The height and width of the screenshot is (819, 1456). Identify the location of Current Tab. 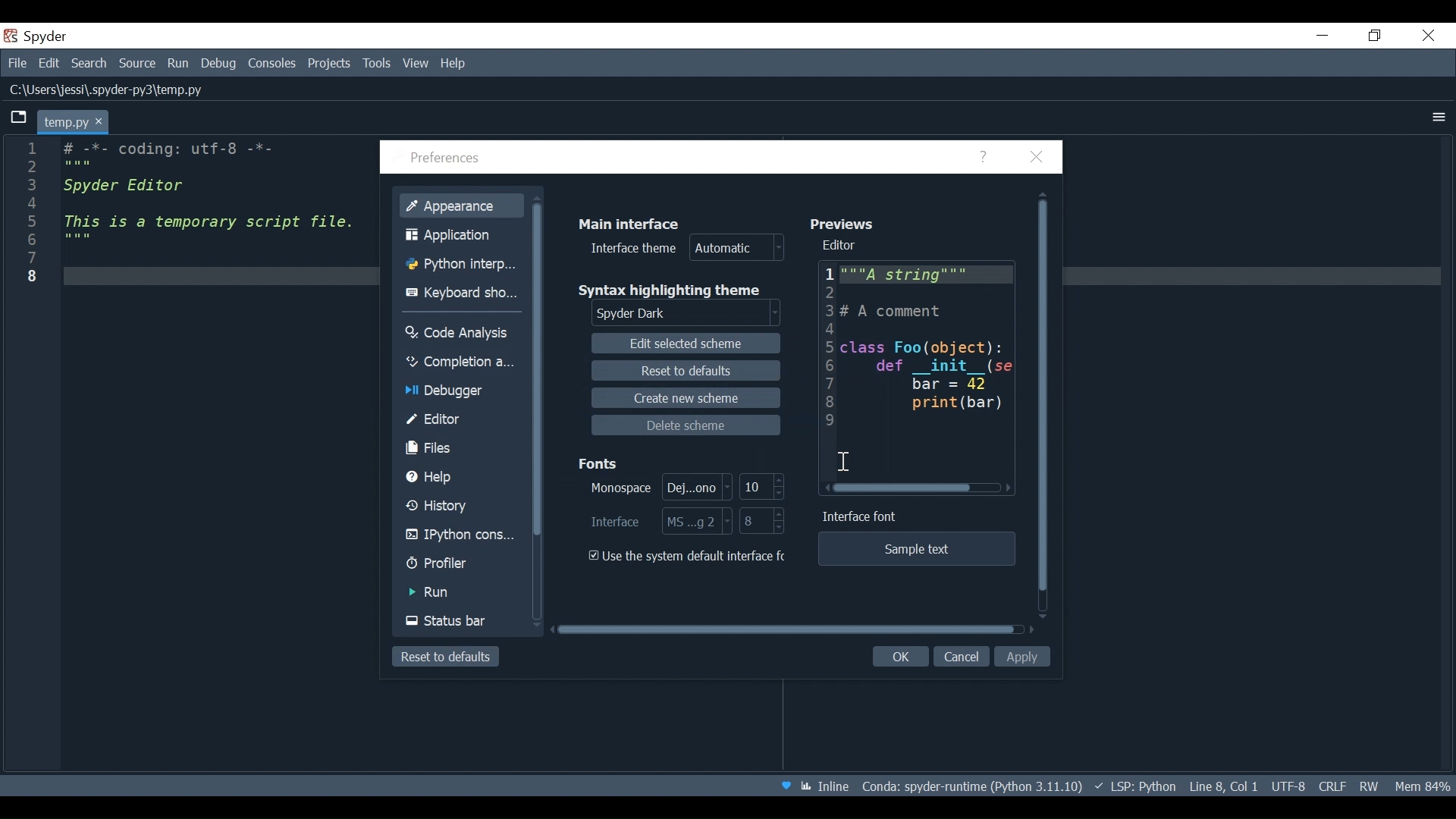
(74, 121).